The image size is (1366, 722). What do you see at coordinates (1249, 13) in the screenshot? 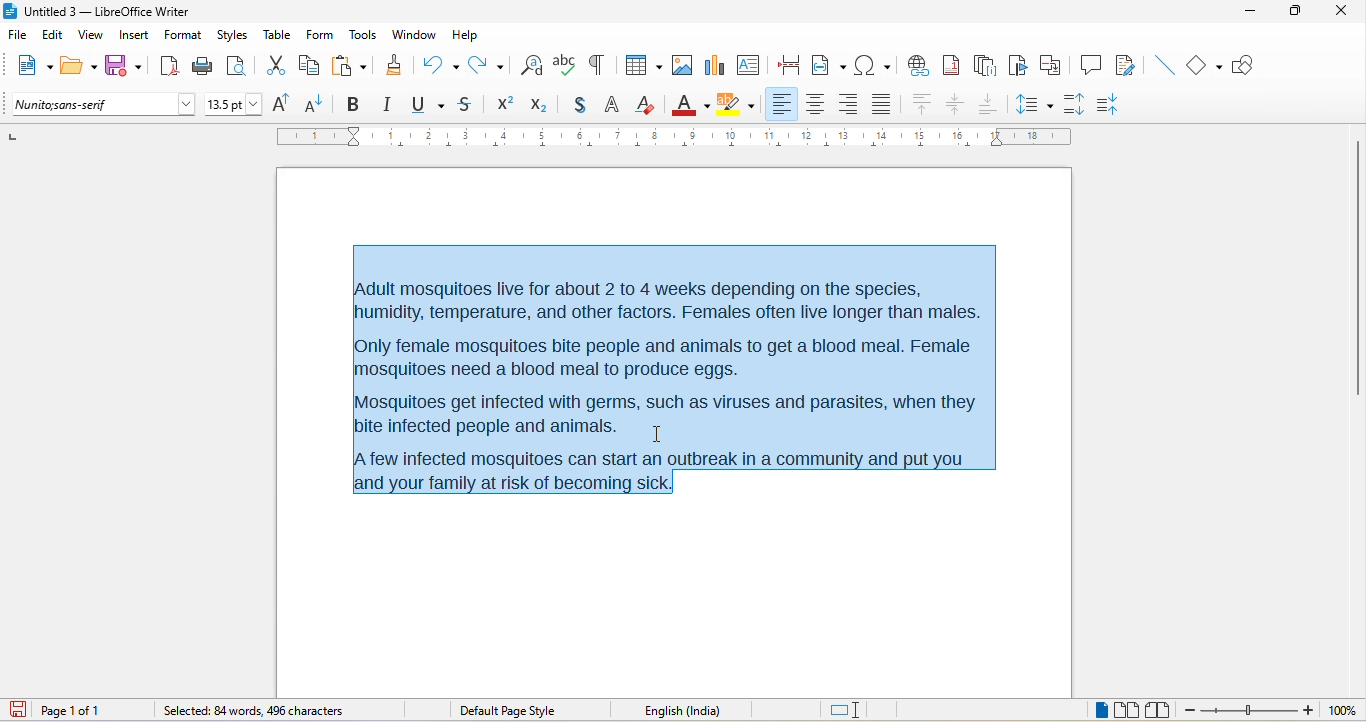
I see `minimize` at bounding box center [1249, 13].